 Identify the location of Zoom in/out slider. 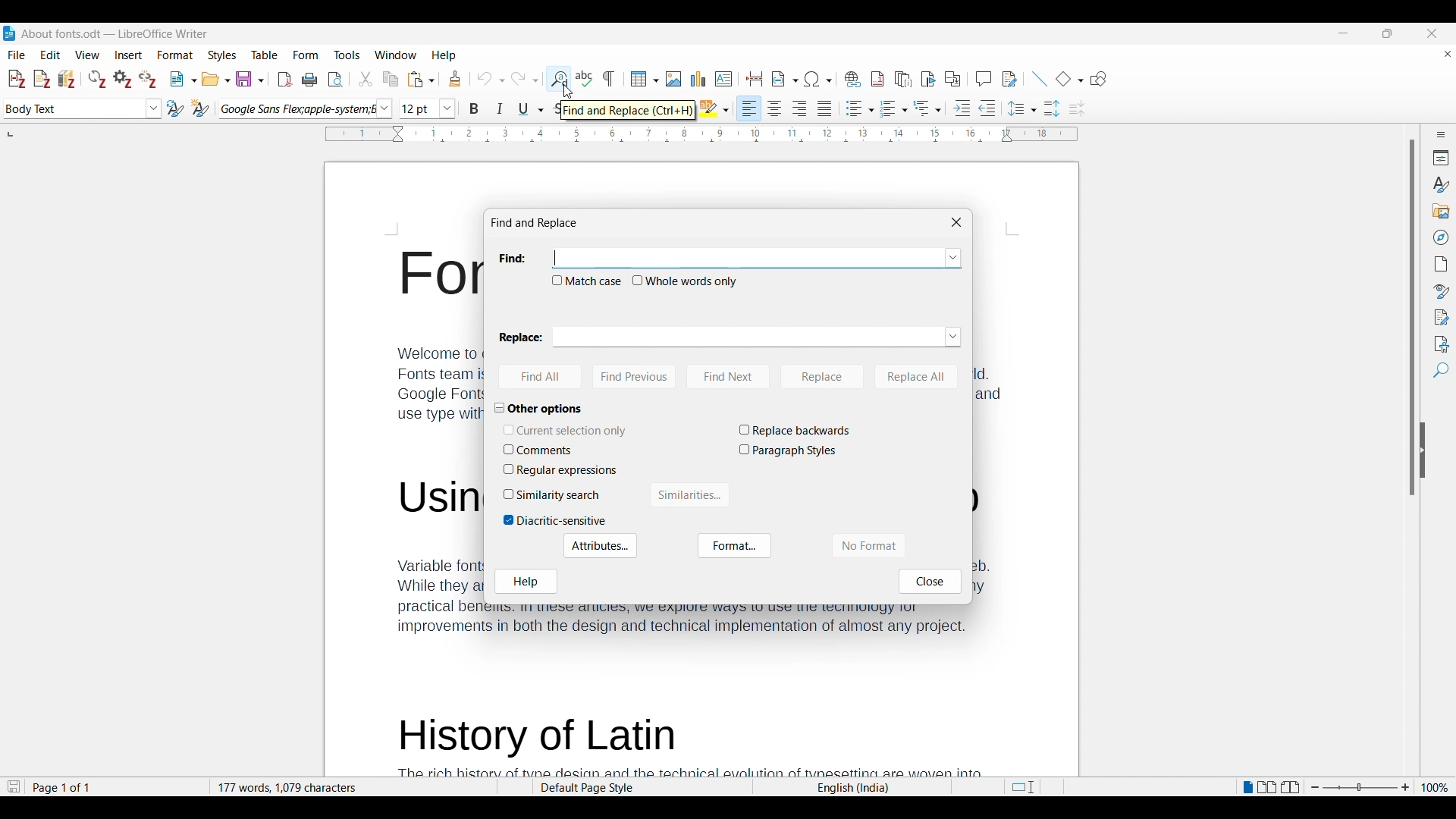
(1360, 788).